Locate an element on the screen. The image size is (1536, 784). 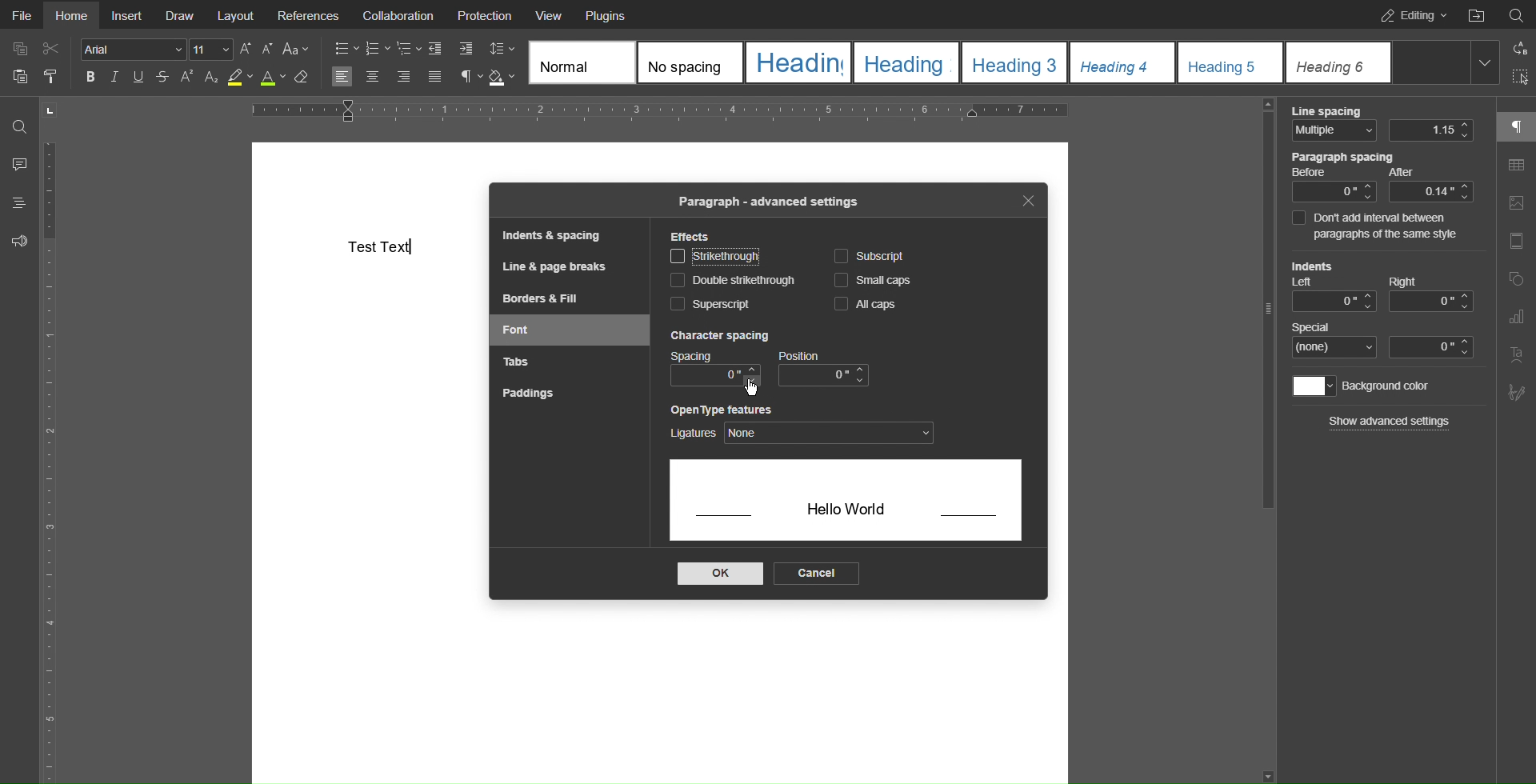
View is located at coordinates (550, 14).